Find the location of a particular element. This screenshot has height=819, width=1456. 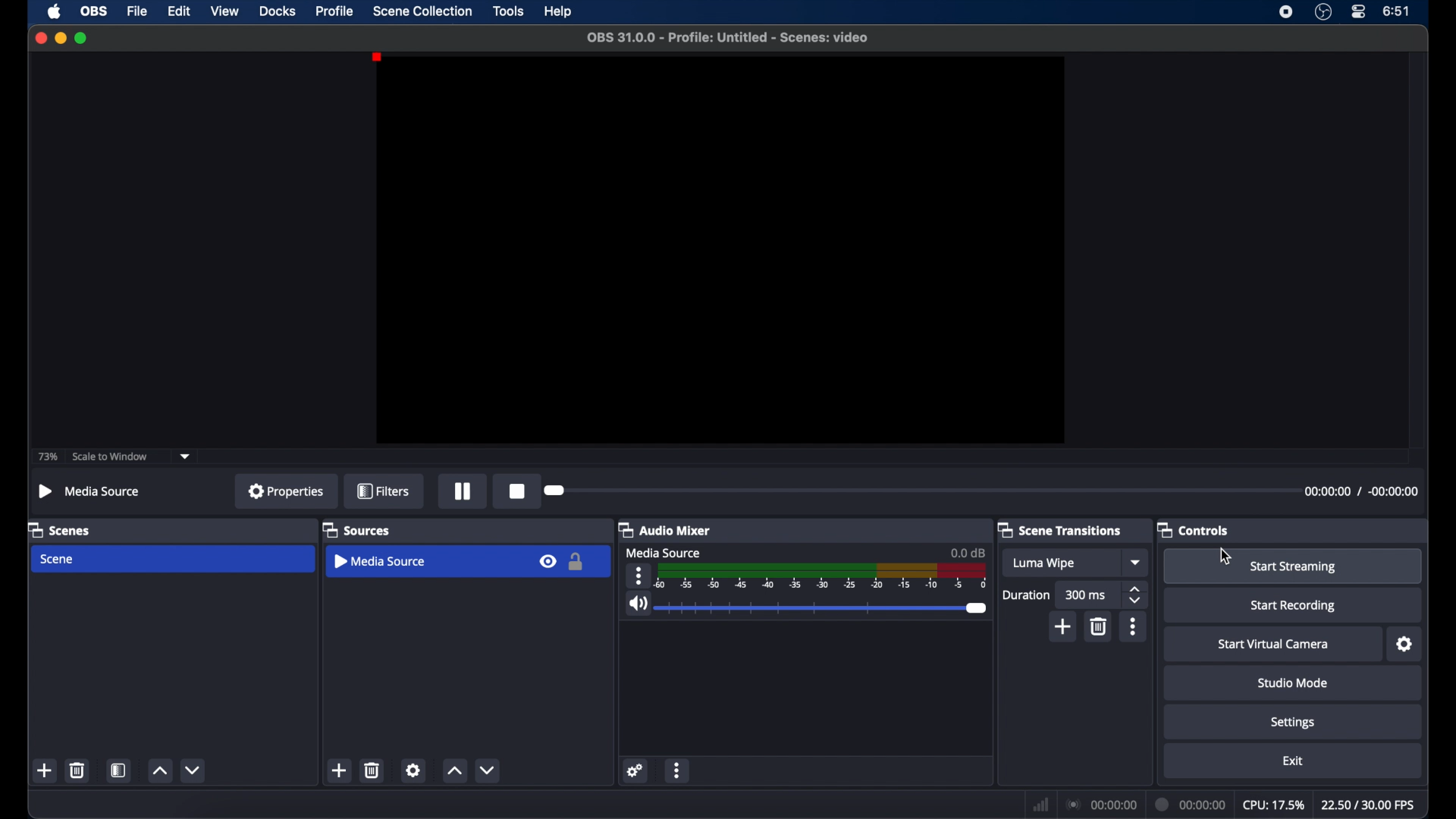

maximize is located at coordinates (82, 38).